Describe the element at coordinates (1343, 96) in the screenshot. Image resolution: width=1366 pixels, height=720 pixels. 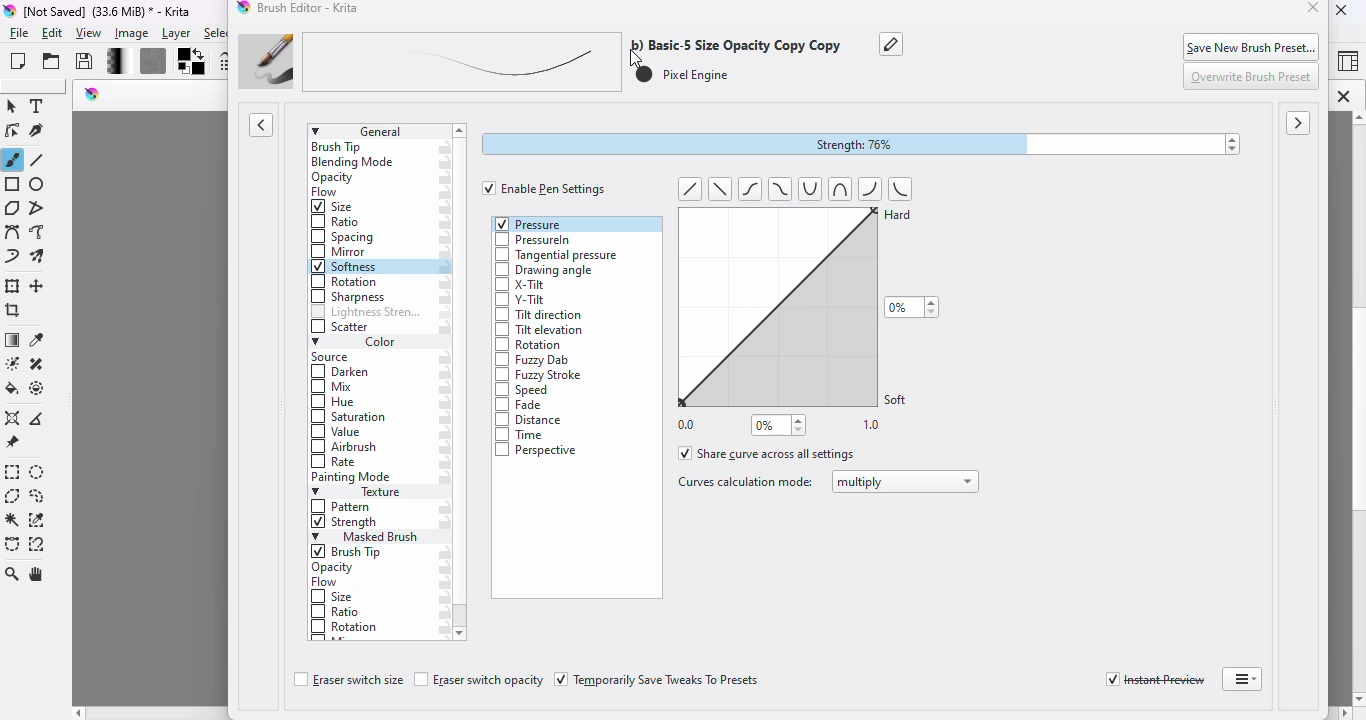
I see `close tab` at that location.